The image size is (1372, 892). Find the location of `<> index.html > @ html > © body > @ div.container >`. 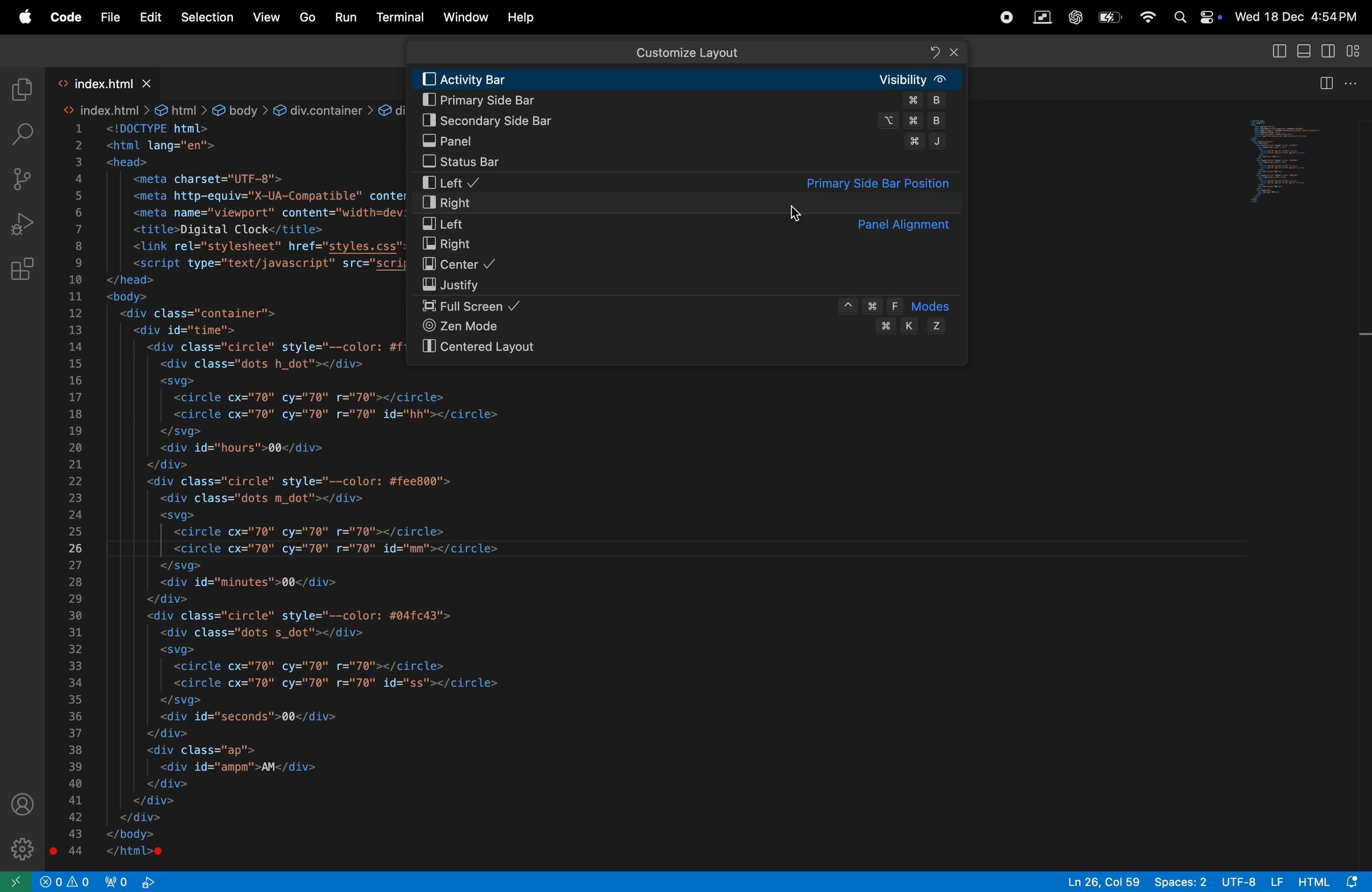

<> index.html > @ html > © body > @ div.container > is located at coordinates (220, 110).